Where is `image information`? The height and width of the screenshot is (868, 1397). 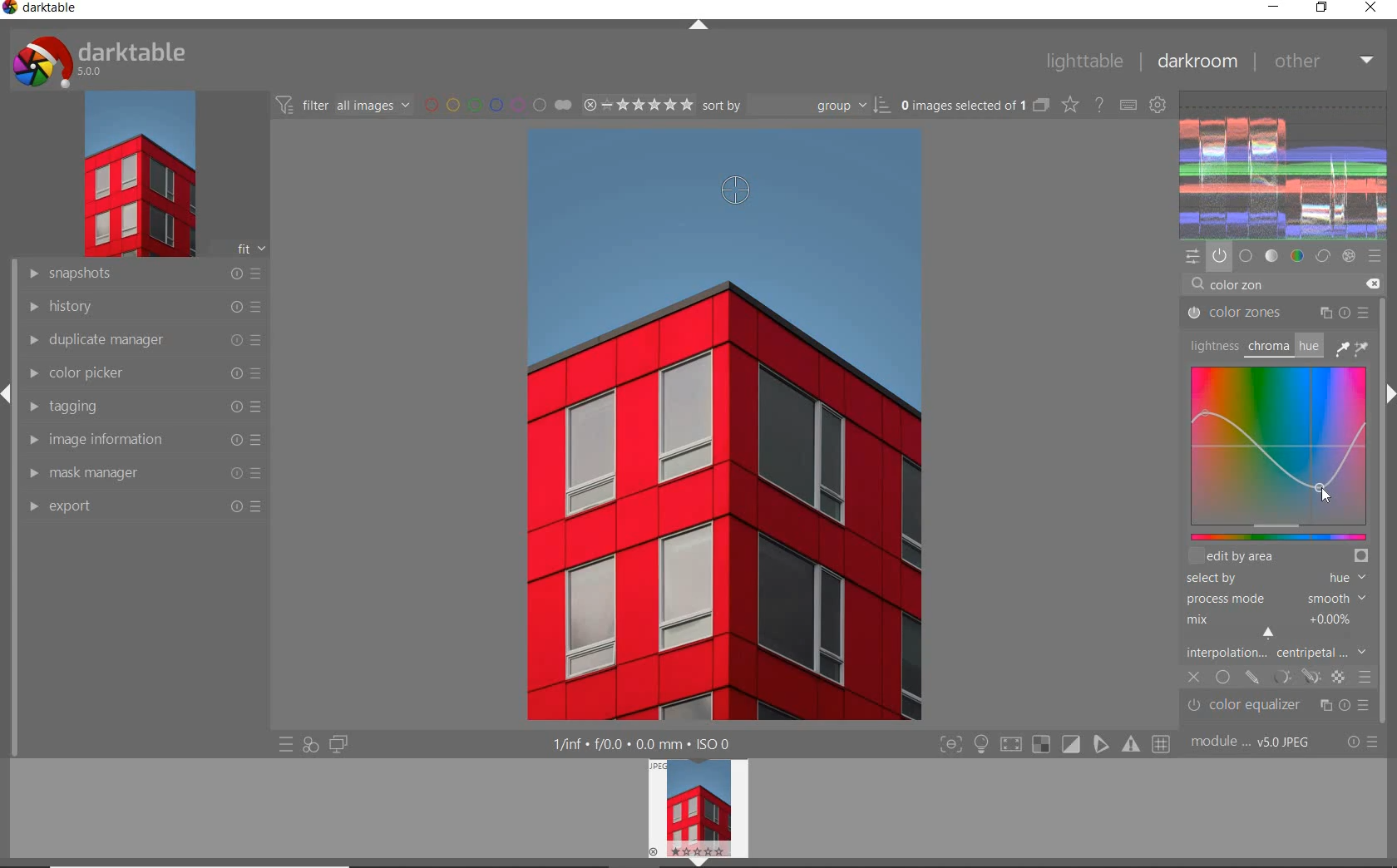 image information is located at coordinates (142, 441).